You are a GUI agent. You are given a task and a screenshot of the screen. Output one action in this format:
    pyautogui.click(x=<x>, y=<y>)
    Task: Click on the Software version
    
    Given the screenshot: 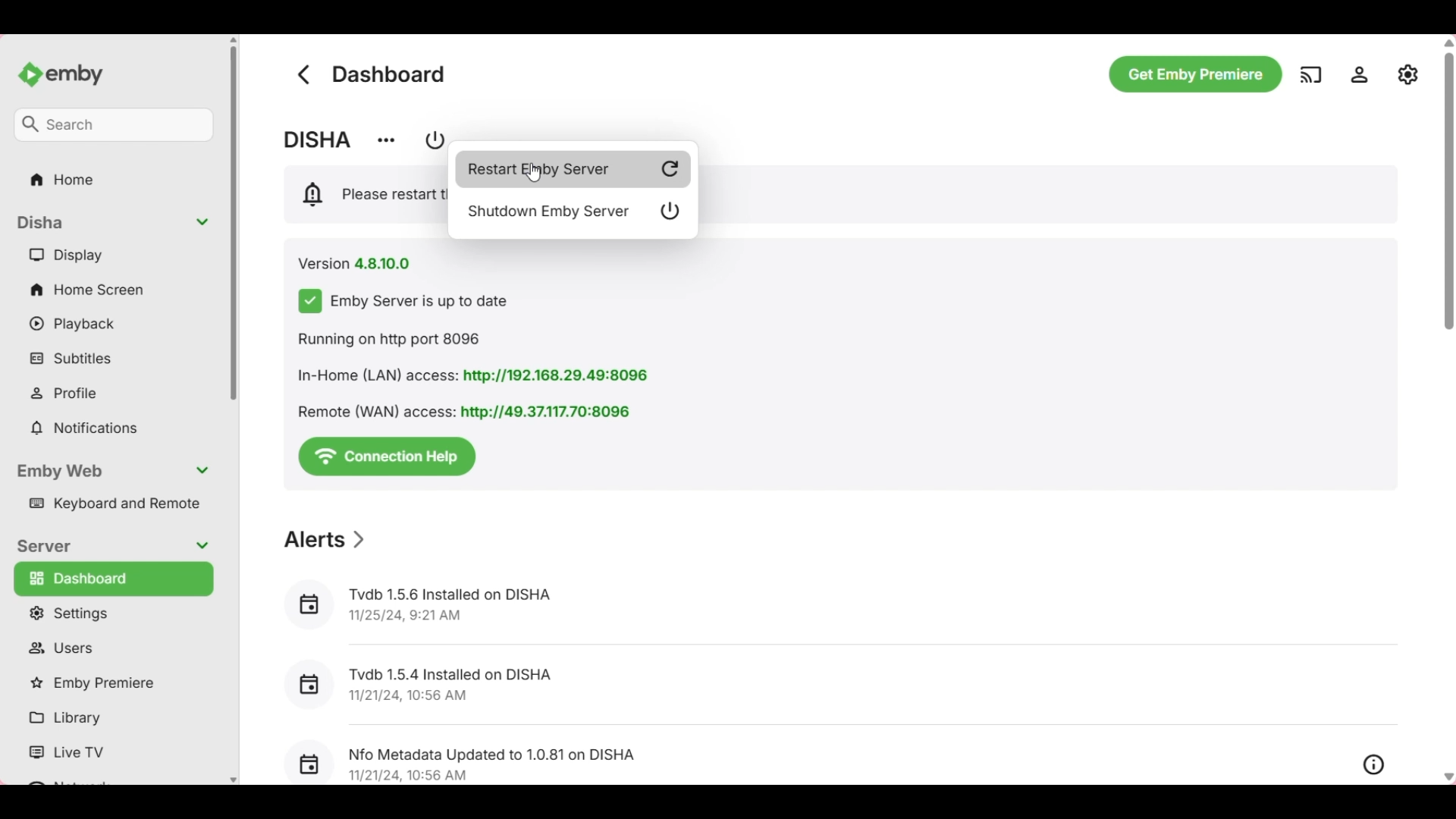 What is the action you would take?
    pyautogui.click(x=355, y=264)
    